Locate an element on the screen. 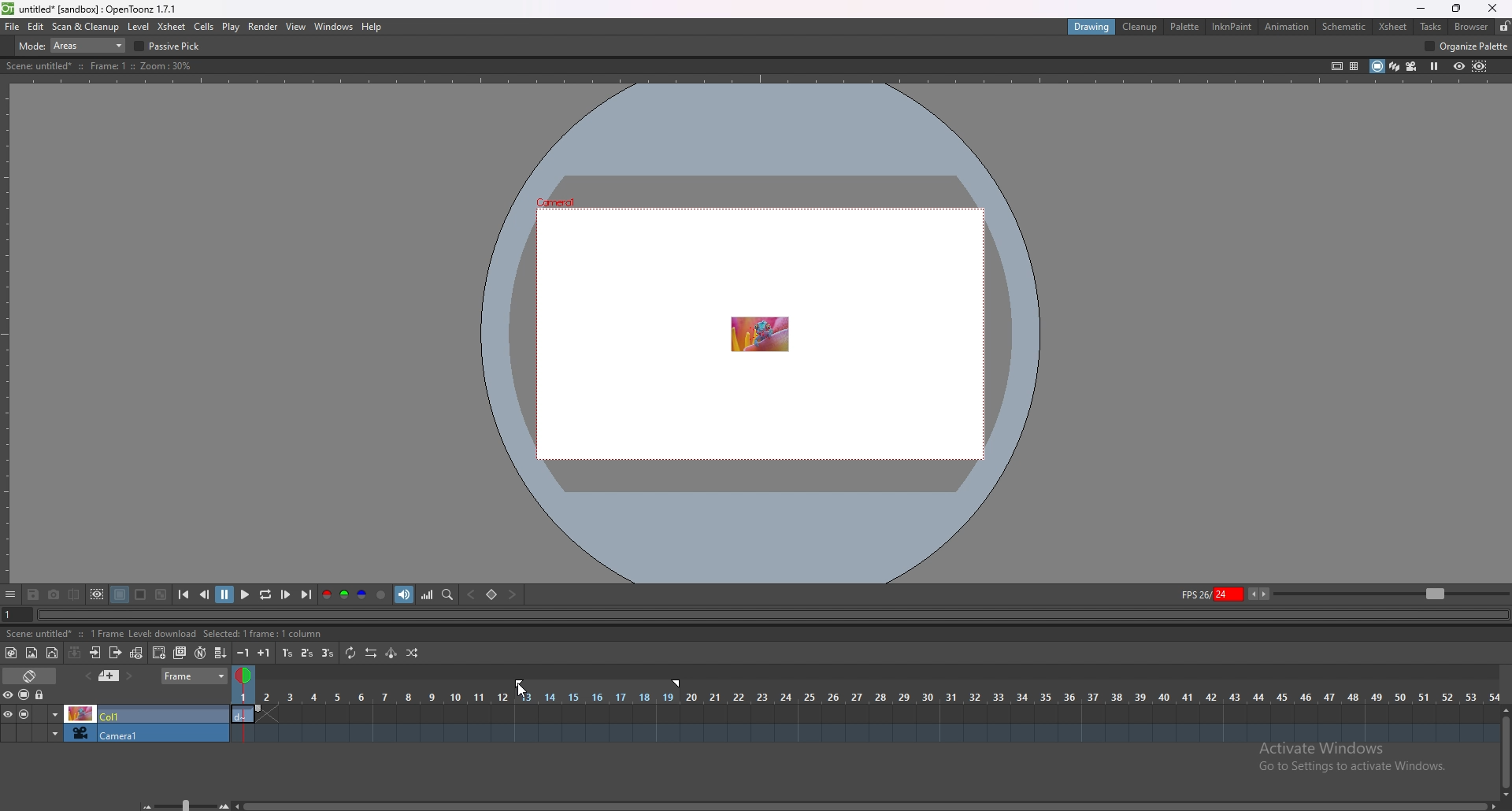 The height and width of the screenshot is (811, 1512). snapshot is located at coordinates (54, 595).